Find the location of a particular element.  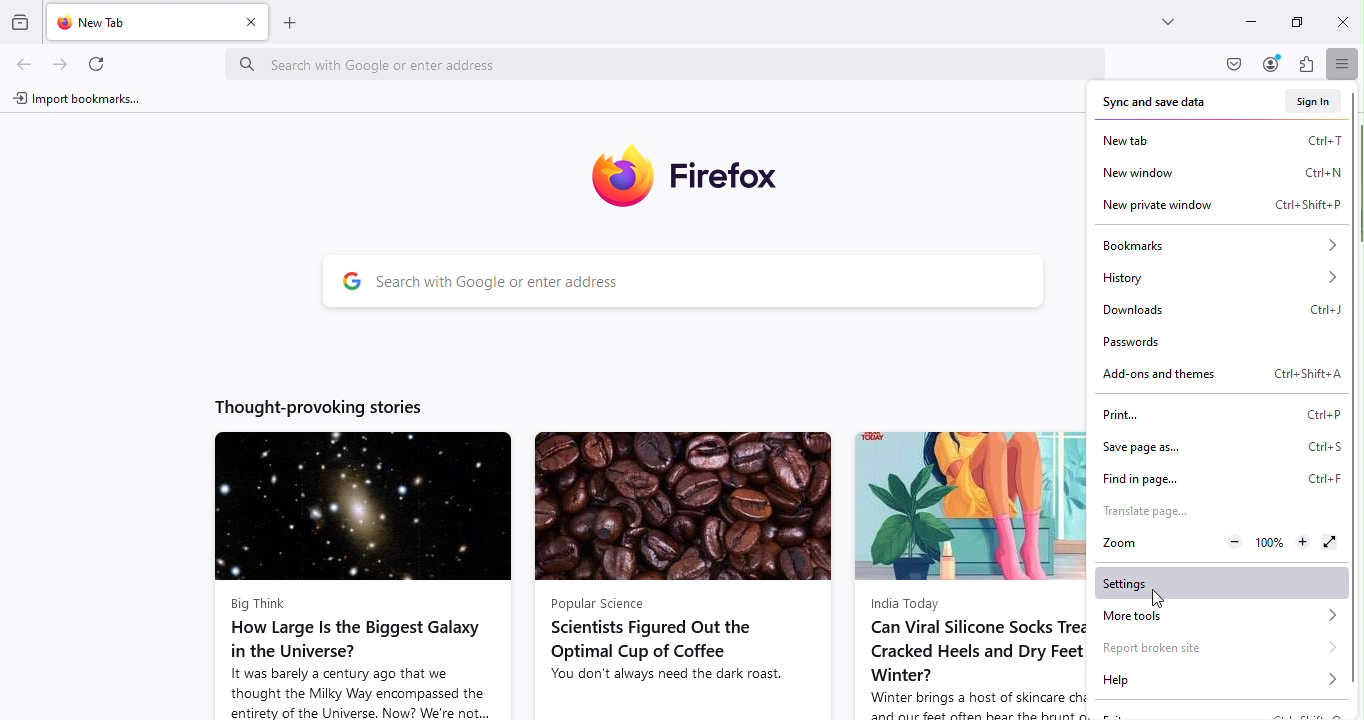

Import bookmarks is located at coordinates (79, 101).